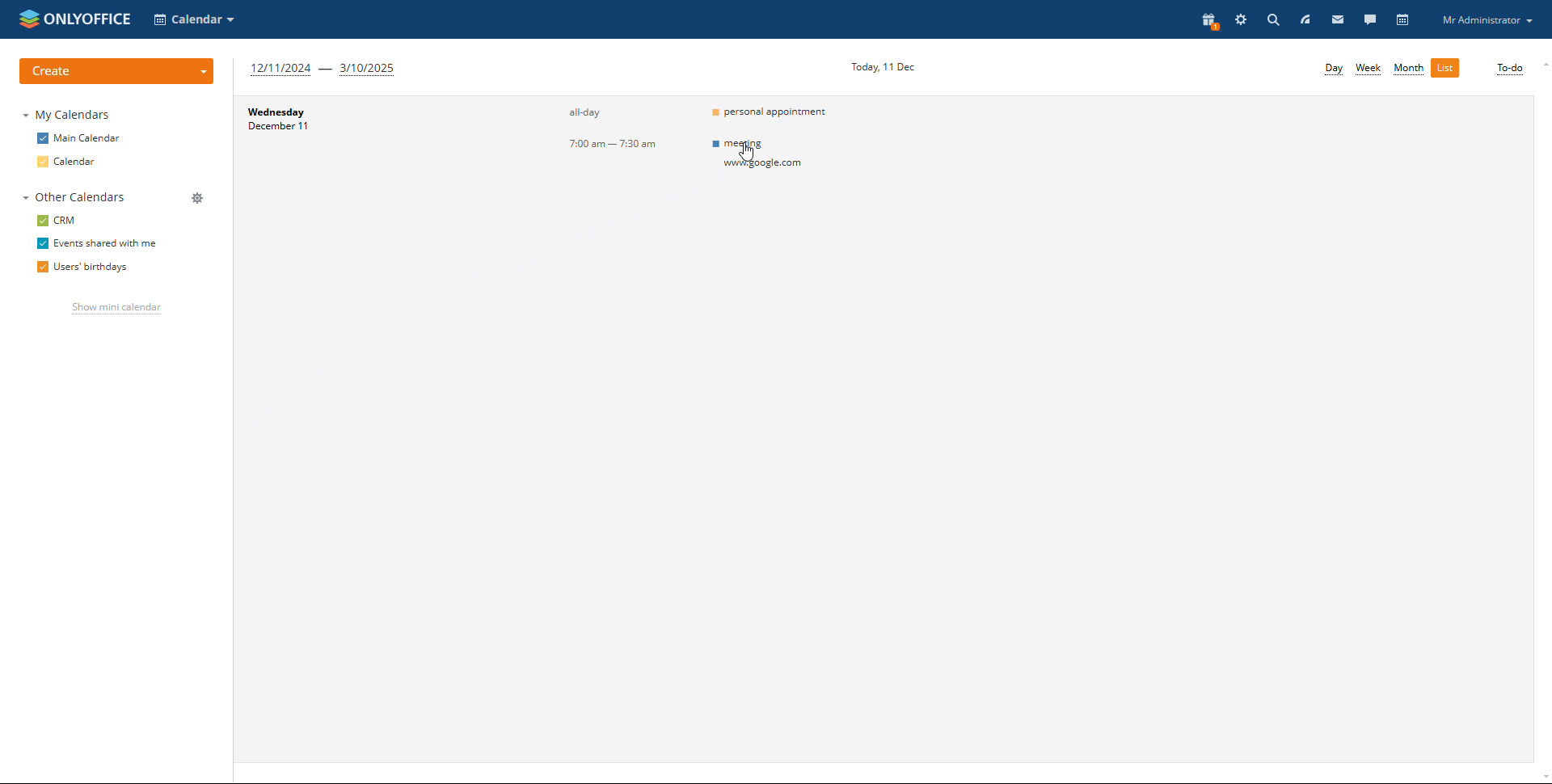  I want to click on talk, so click(1370, 20).